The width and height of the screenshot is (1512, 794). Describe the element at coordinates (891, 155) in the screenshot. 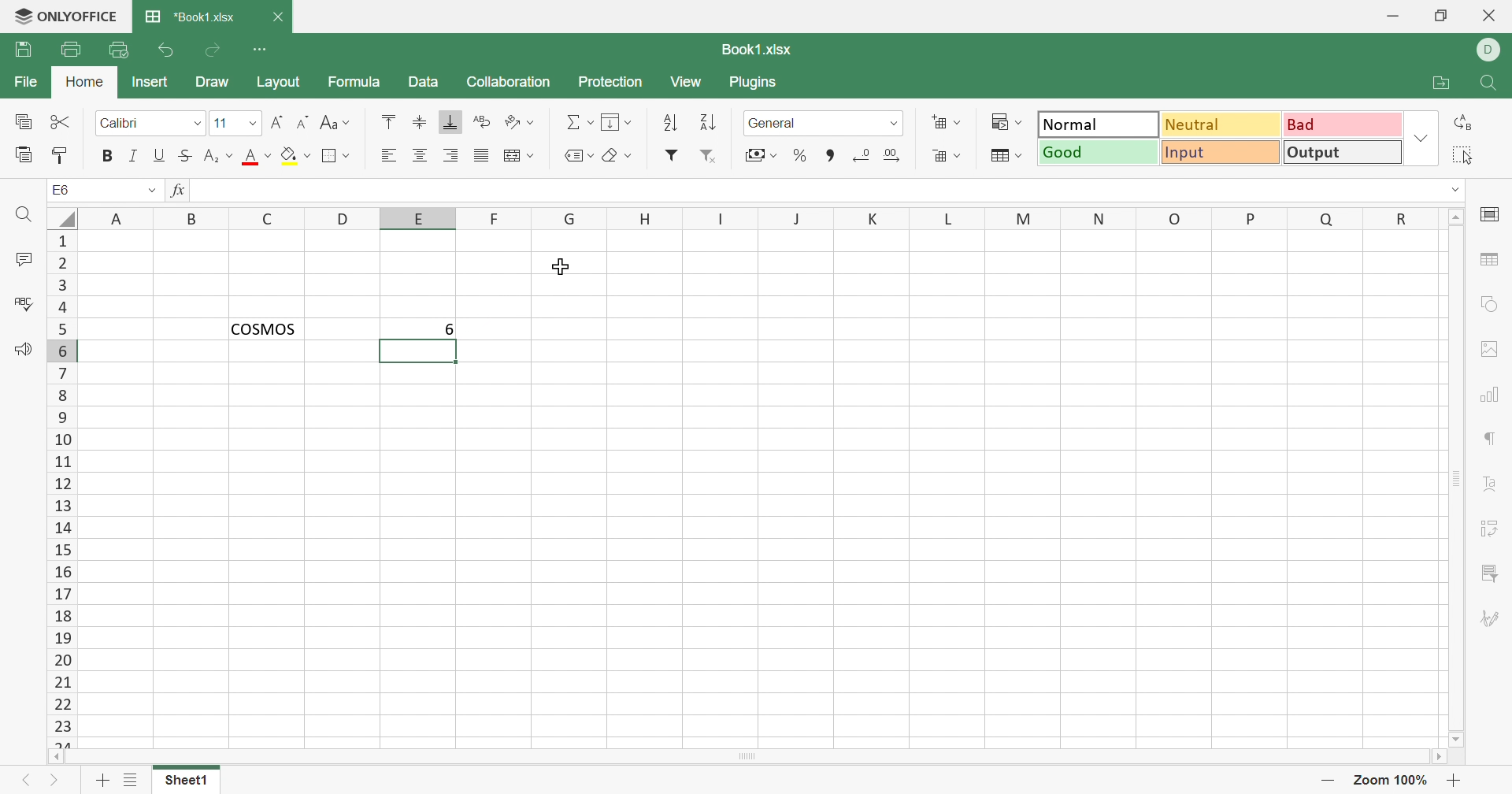

I see `Increase decimal` at that location.